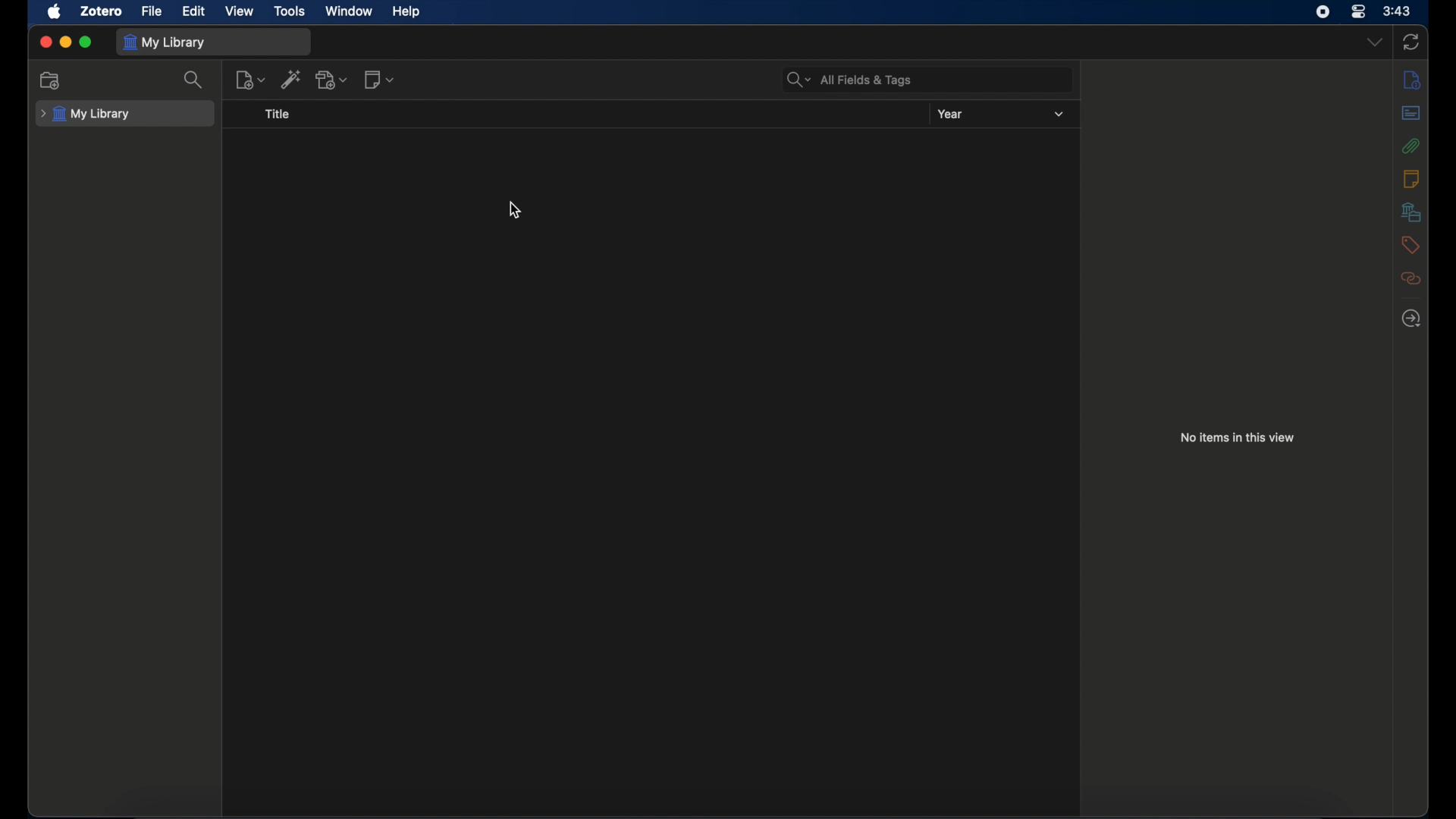  What do you see at coordinates (65, 42) in the screenshot?
I see `minimize` at bounding box center [65, 42].